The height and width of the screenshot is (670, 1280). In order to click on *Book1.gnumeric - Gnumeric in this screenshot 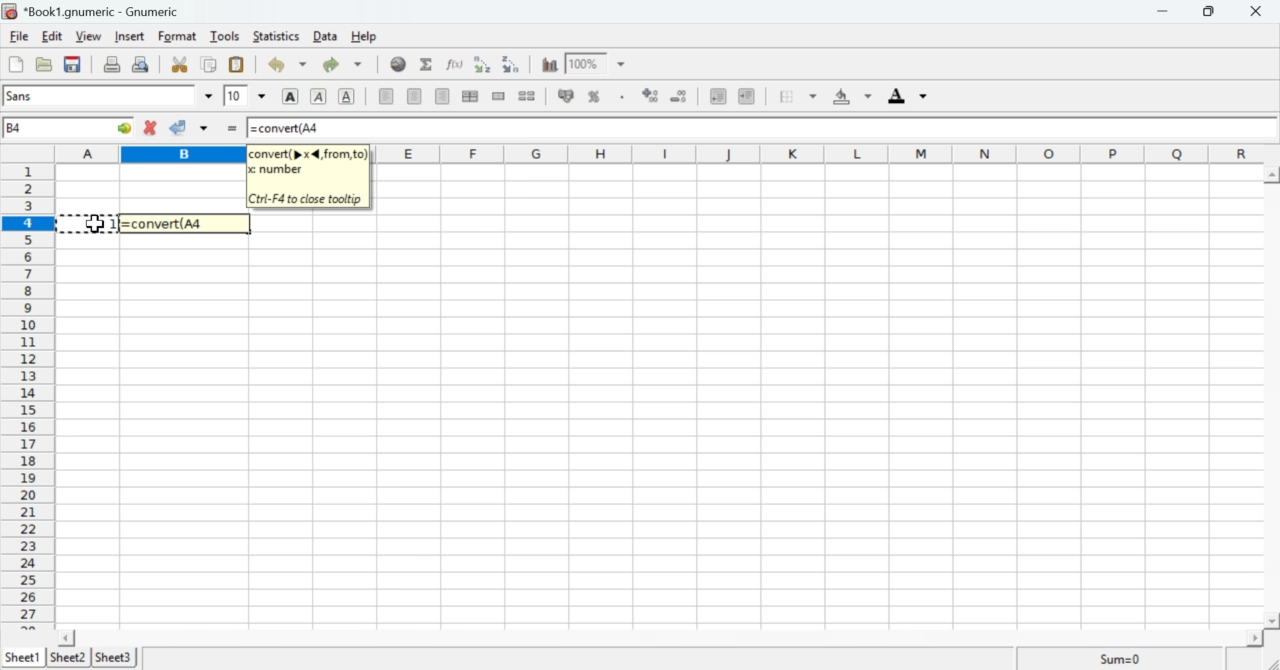, I will do `click(105, 11)`.